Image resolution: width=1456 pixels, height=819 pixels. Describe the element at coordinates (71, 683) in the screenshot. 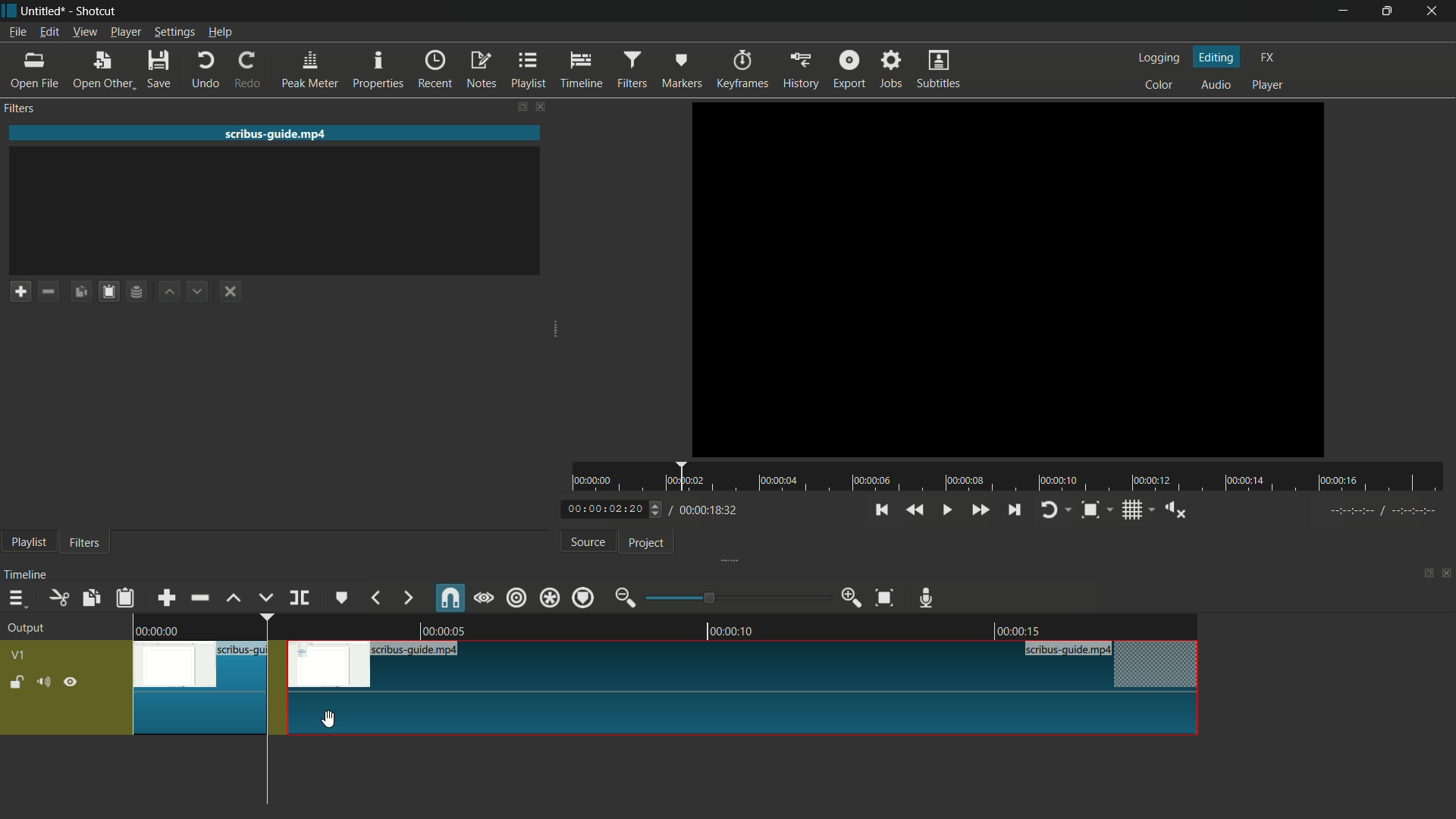

I see `hide` at that location.